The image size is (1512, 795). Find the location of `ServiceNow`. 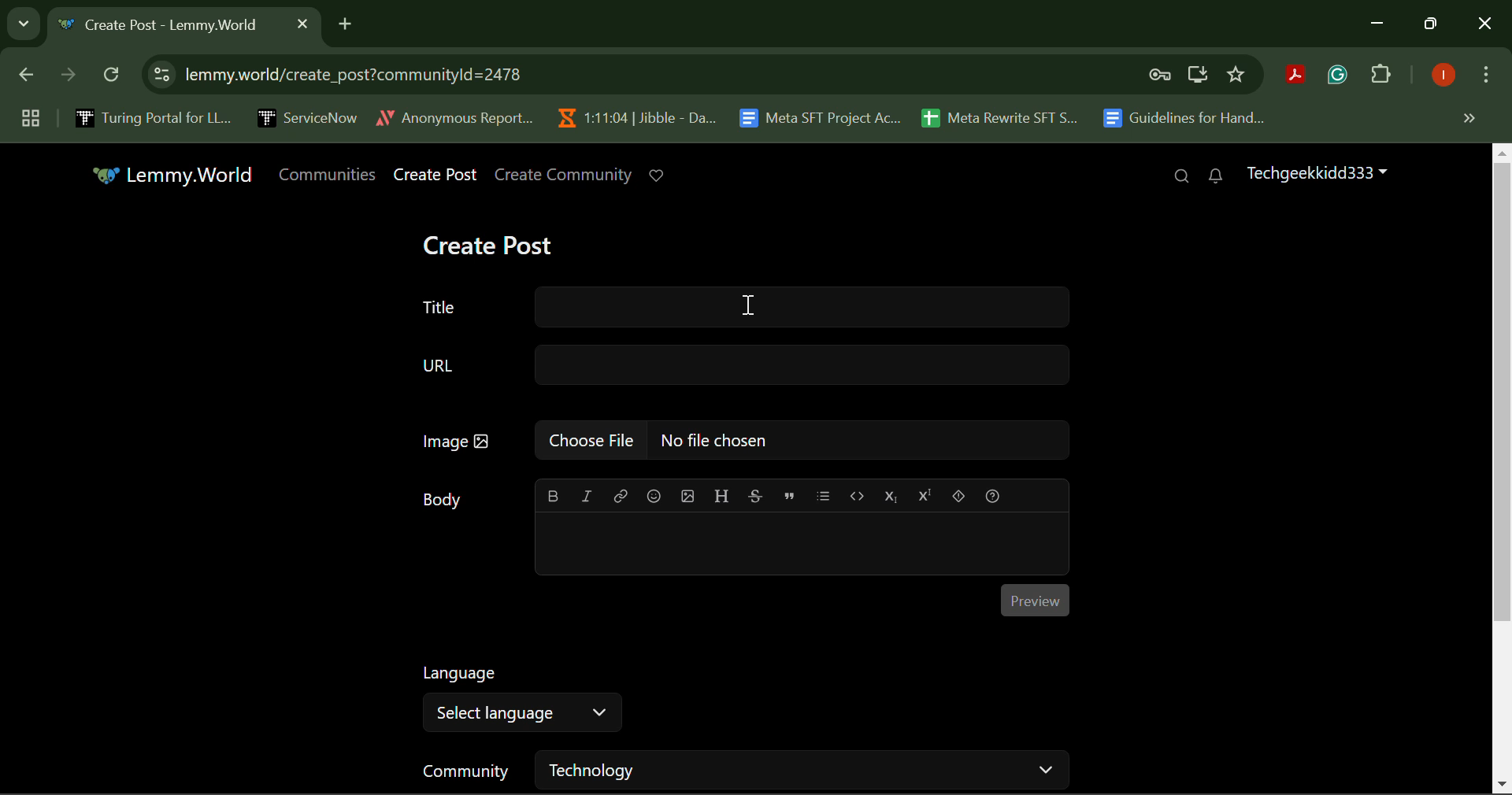

ServiceNow is located at coordinates (306, 116).